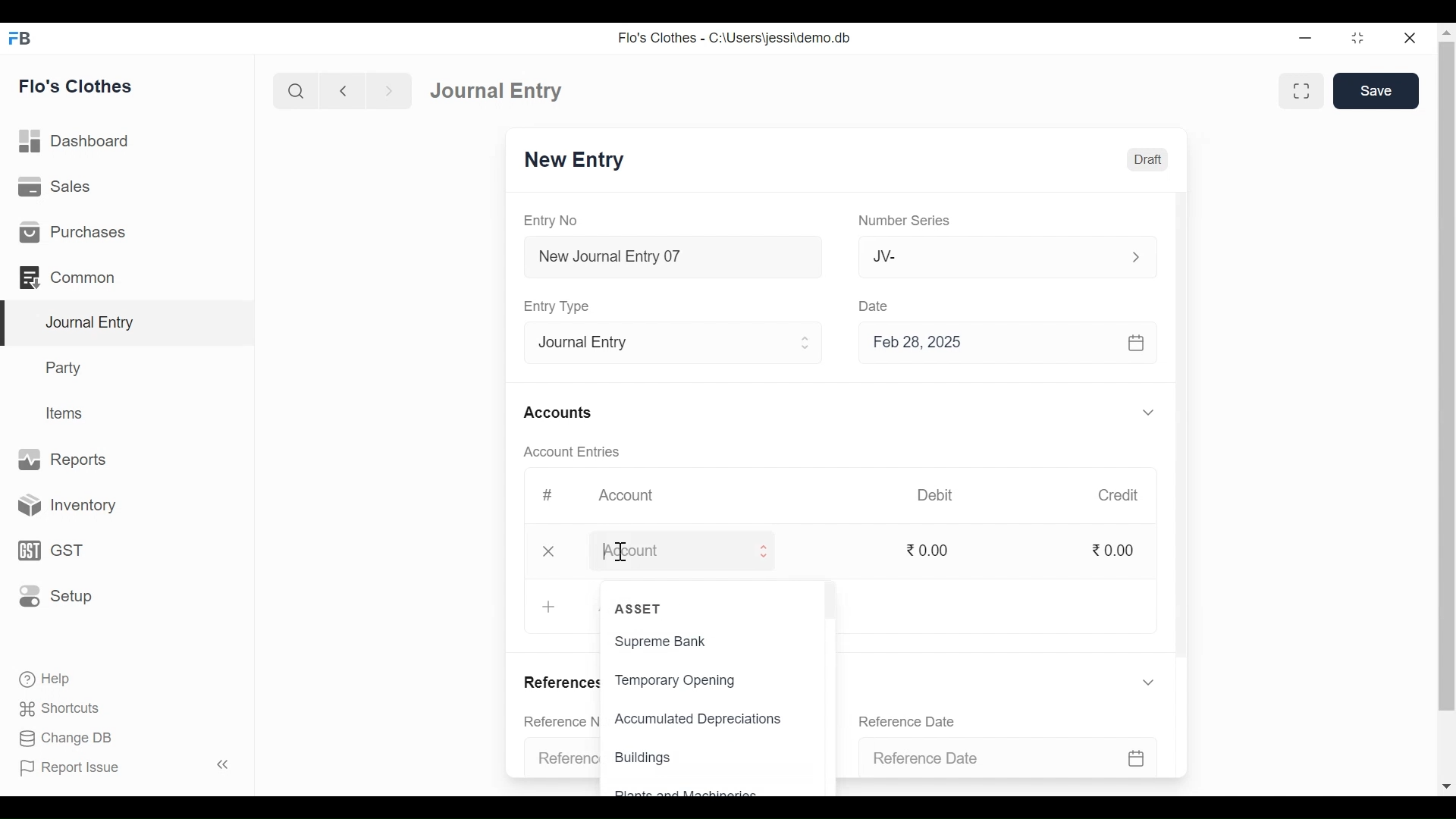 This screenshot has height=819, width=1456. What do you see at coordinates (73, 231) in the screenshot?
I see `Purchases` at bounding box center [73, 231].